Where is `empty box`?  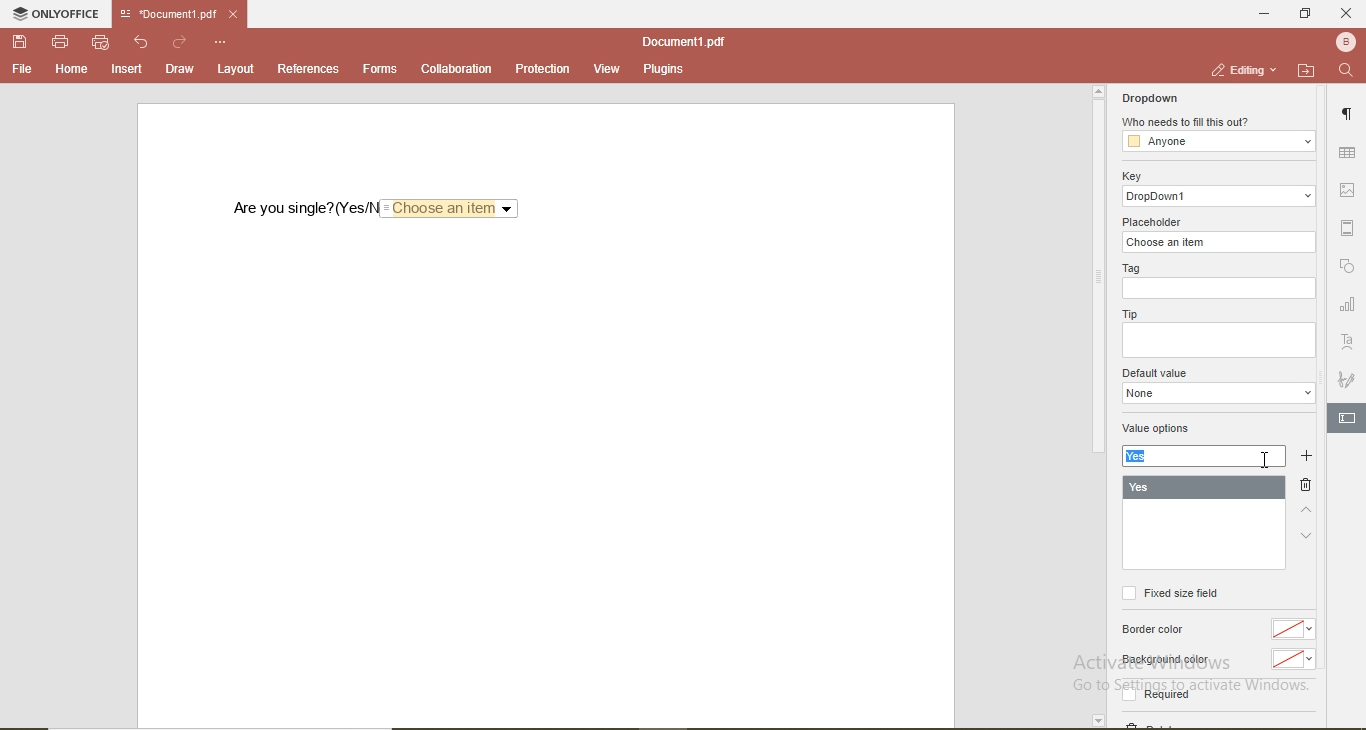 empty box is located at coordinates (1218, 290).